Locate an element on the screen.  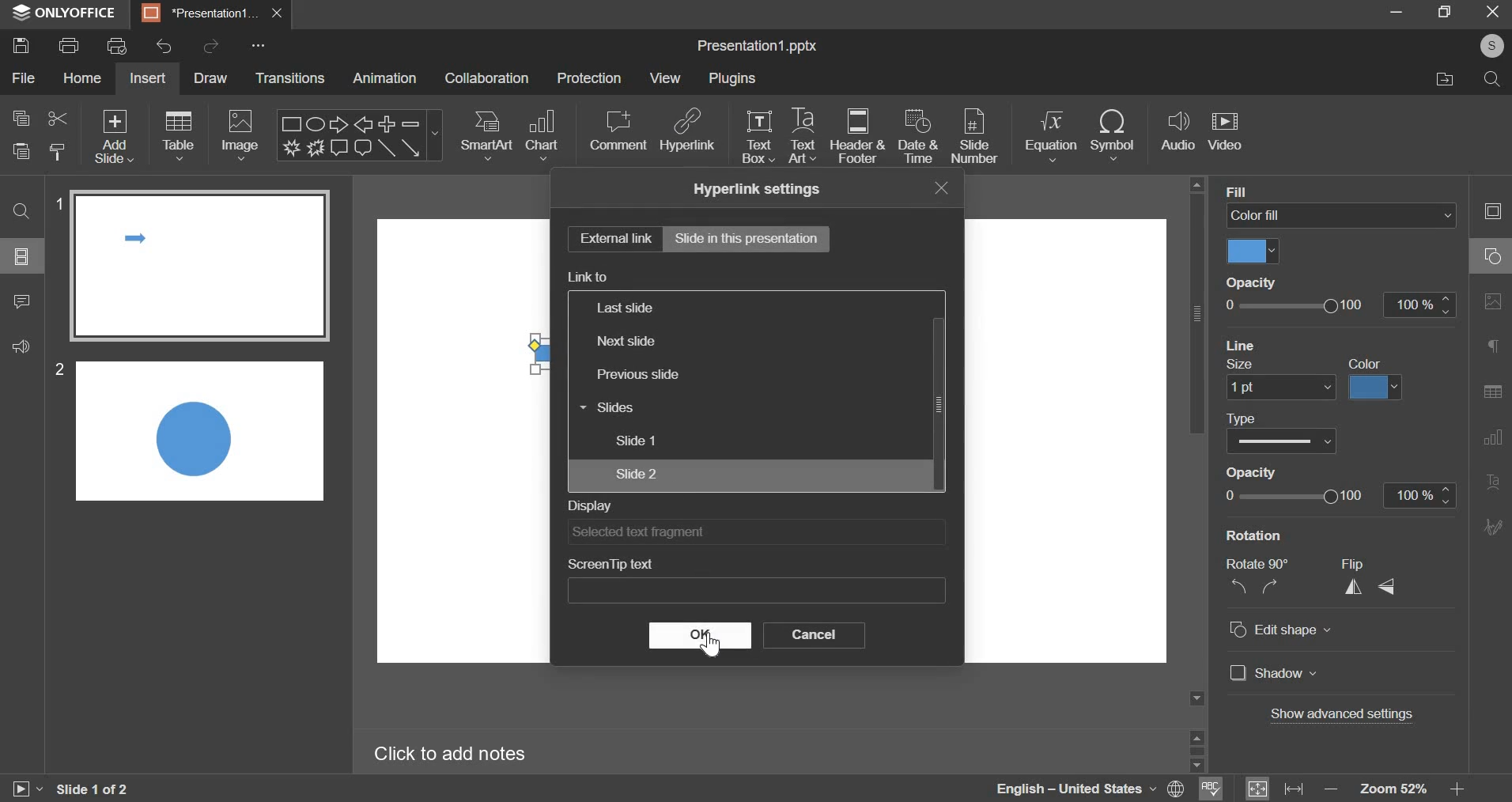
scrollbar is located at coordinates (939, 403).